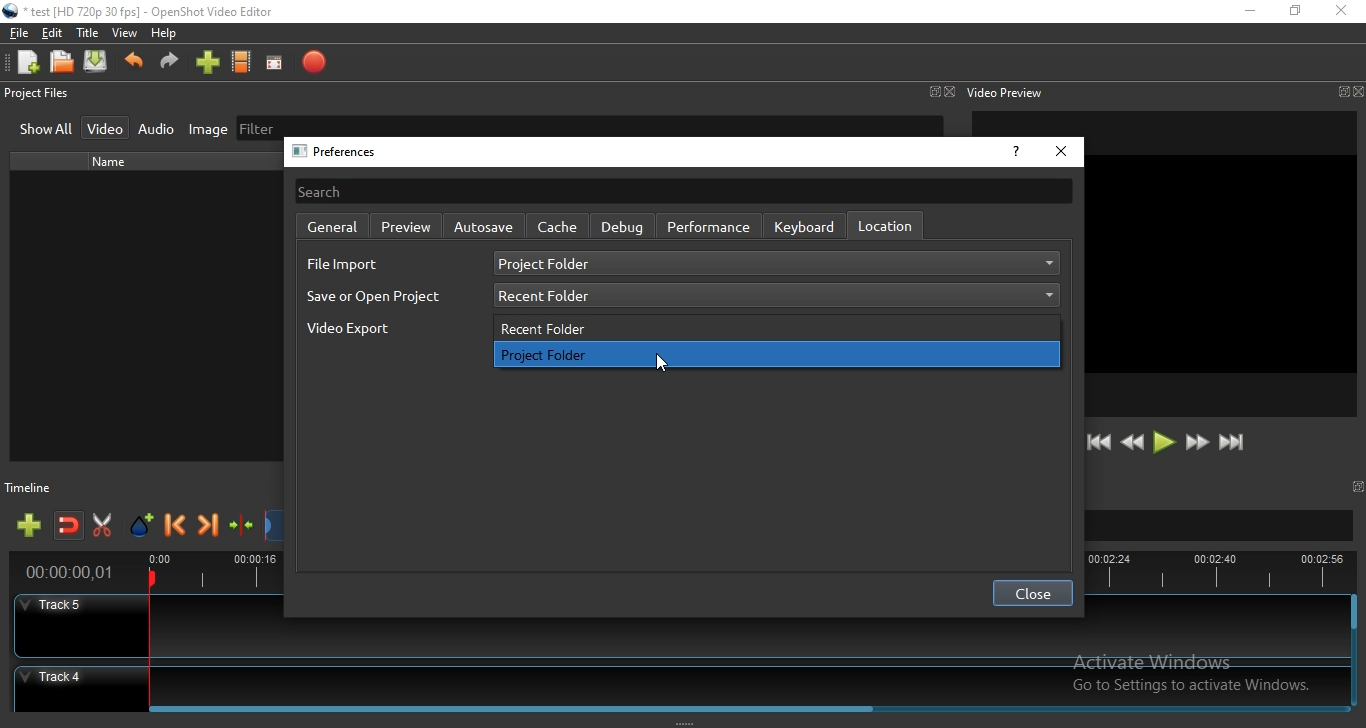 This screenshot has width=1366, height=728. What do you see at coordinates (748, 706) in the screenshot?
I see `Horizontal Scroll bar` at bounding box center [748, 706].